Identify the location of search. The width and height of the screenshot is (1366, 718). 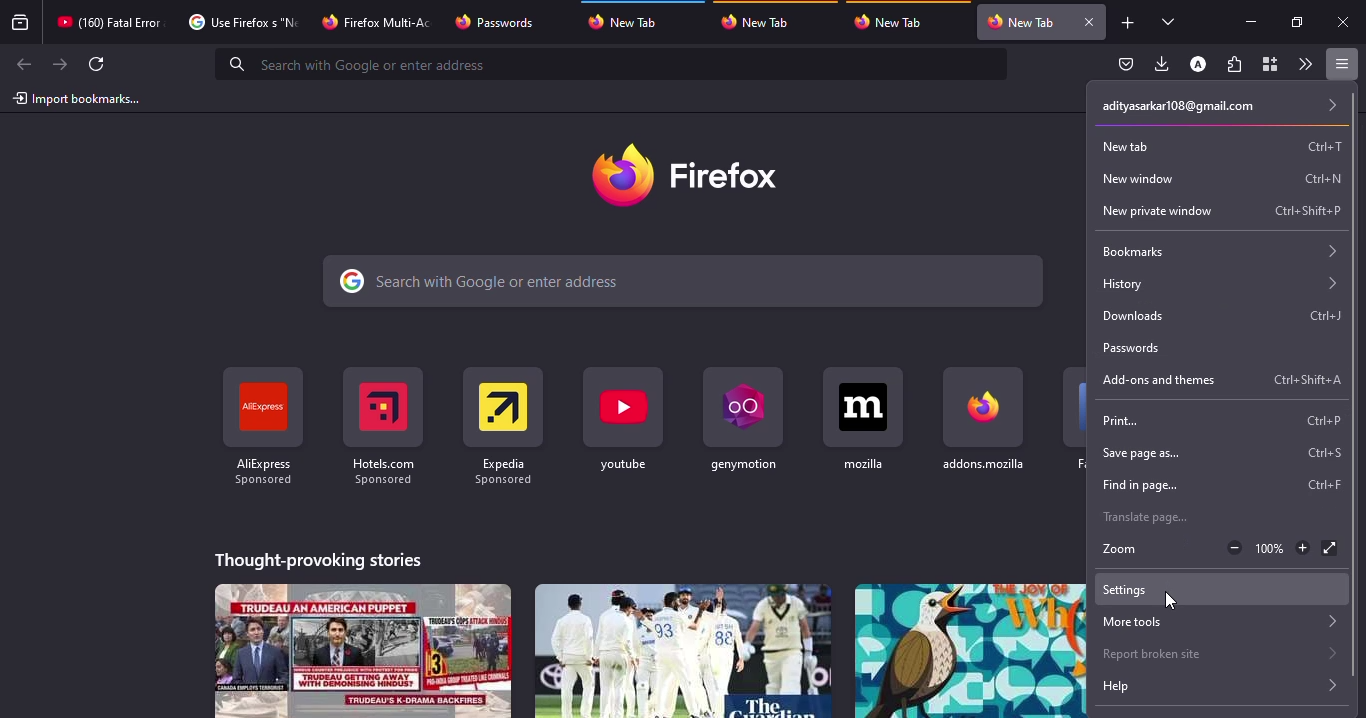
(614, 64).